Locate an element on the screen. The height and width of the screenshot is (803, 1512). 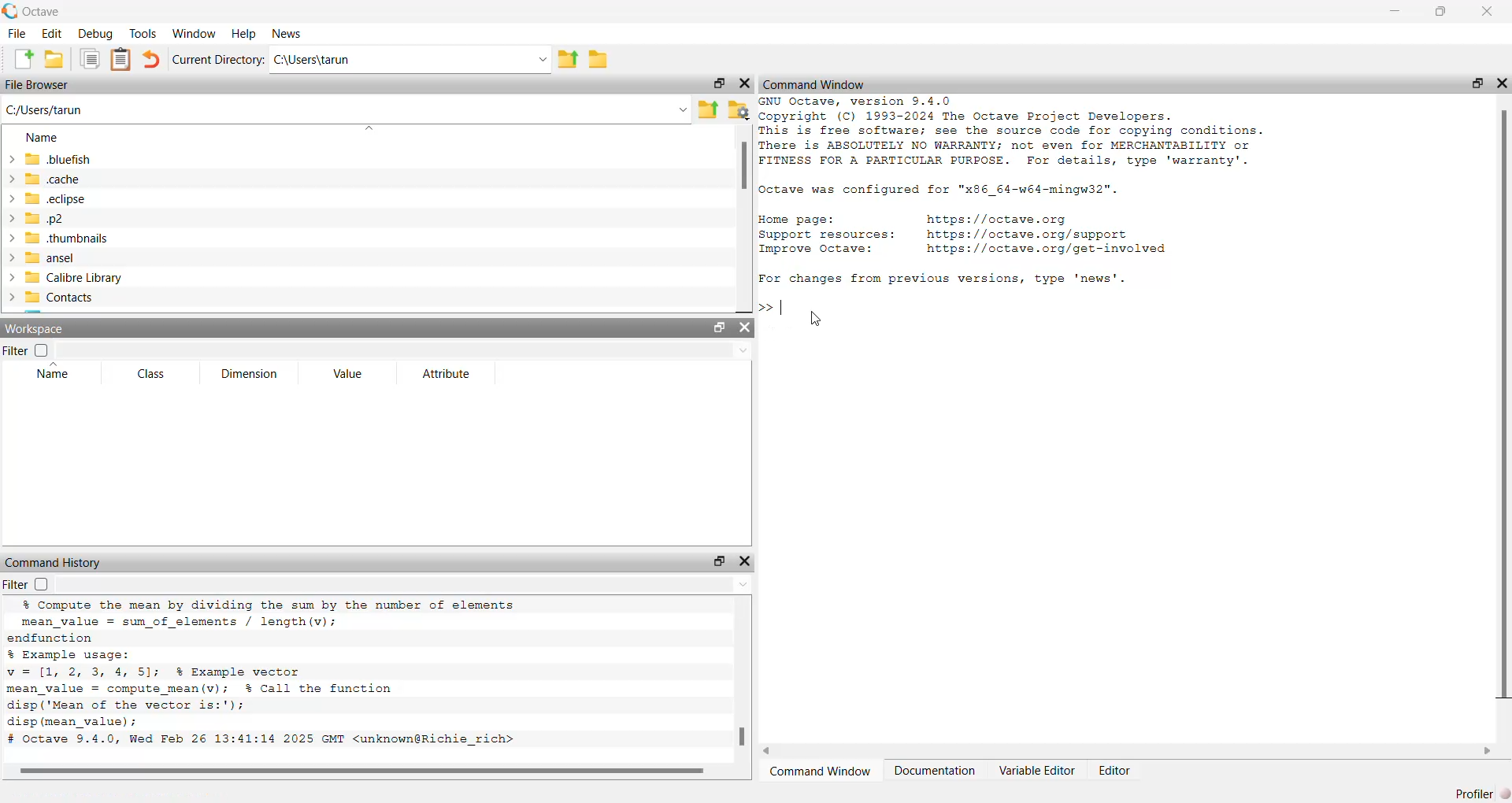
.bluefish is located at coordinates (59, 160).